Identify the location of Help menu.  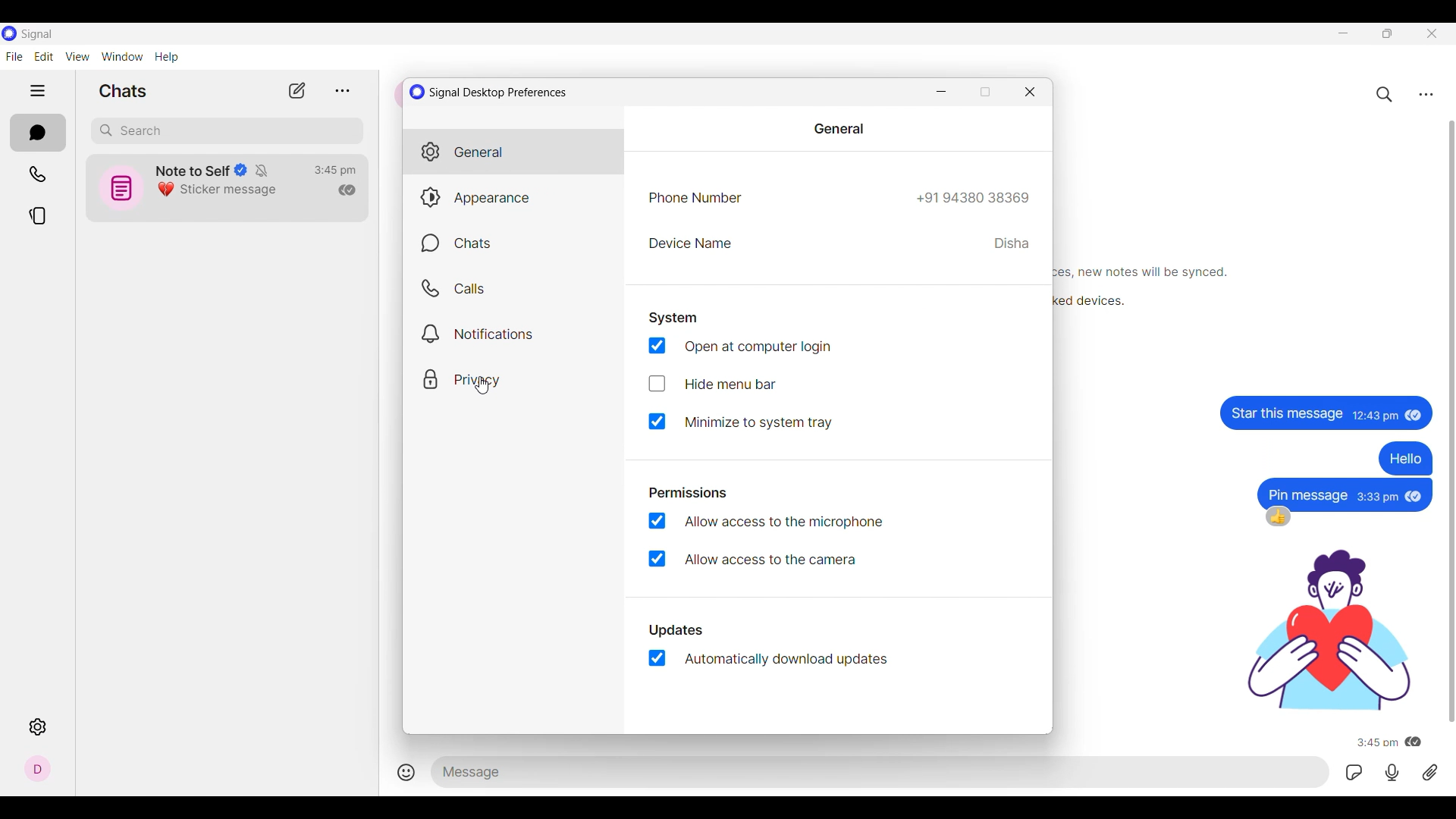
(166, 57).